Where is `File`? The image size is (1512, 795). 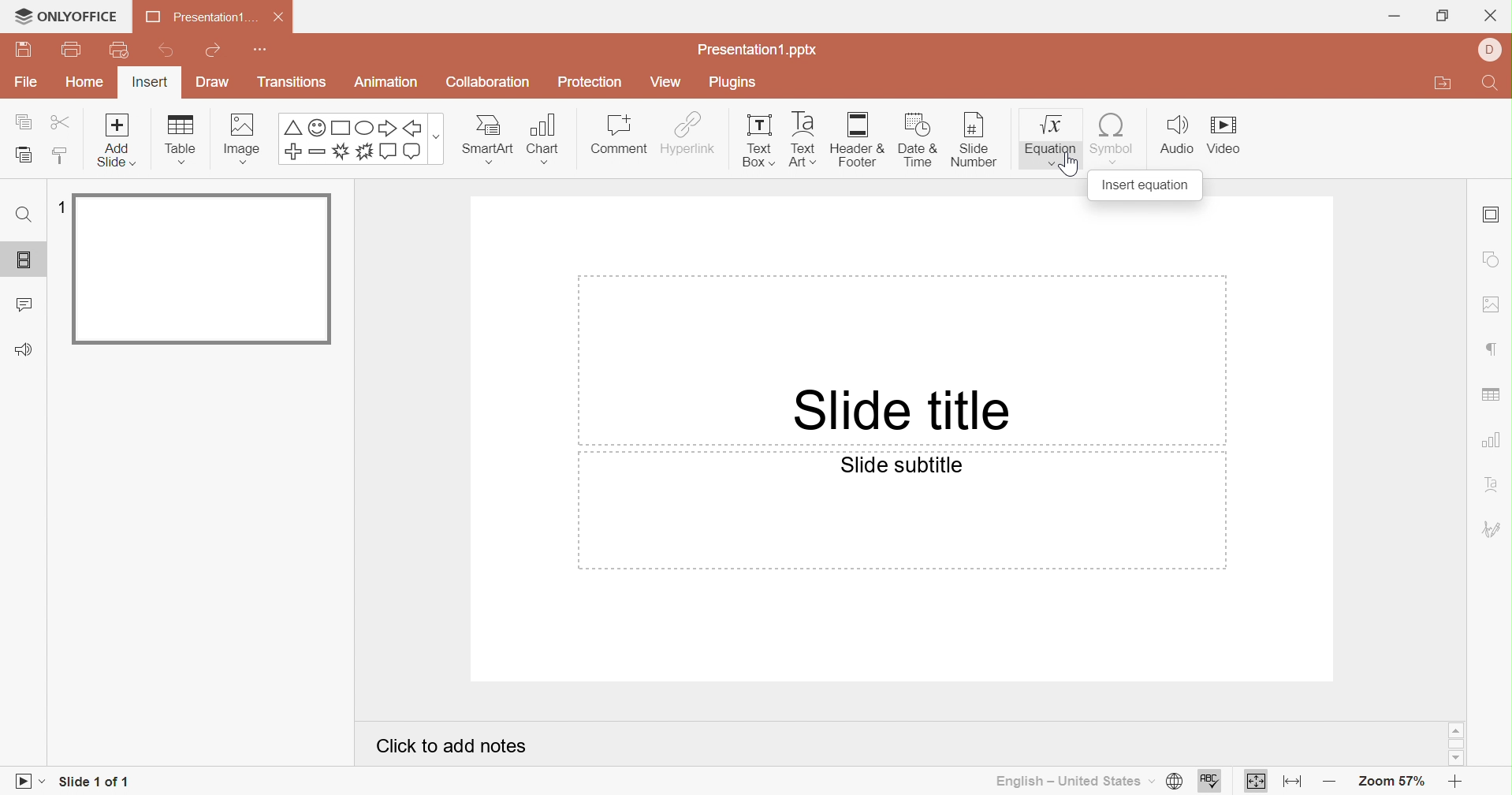 File is located at coordinates (28, 84).